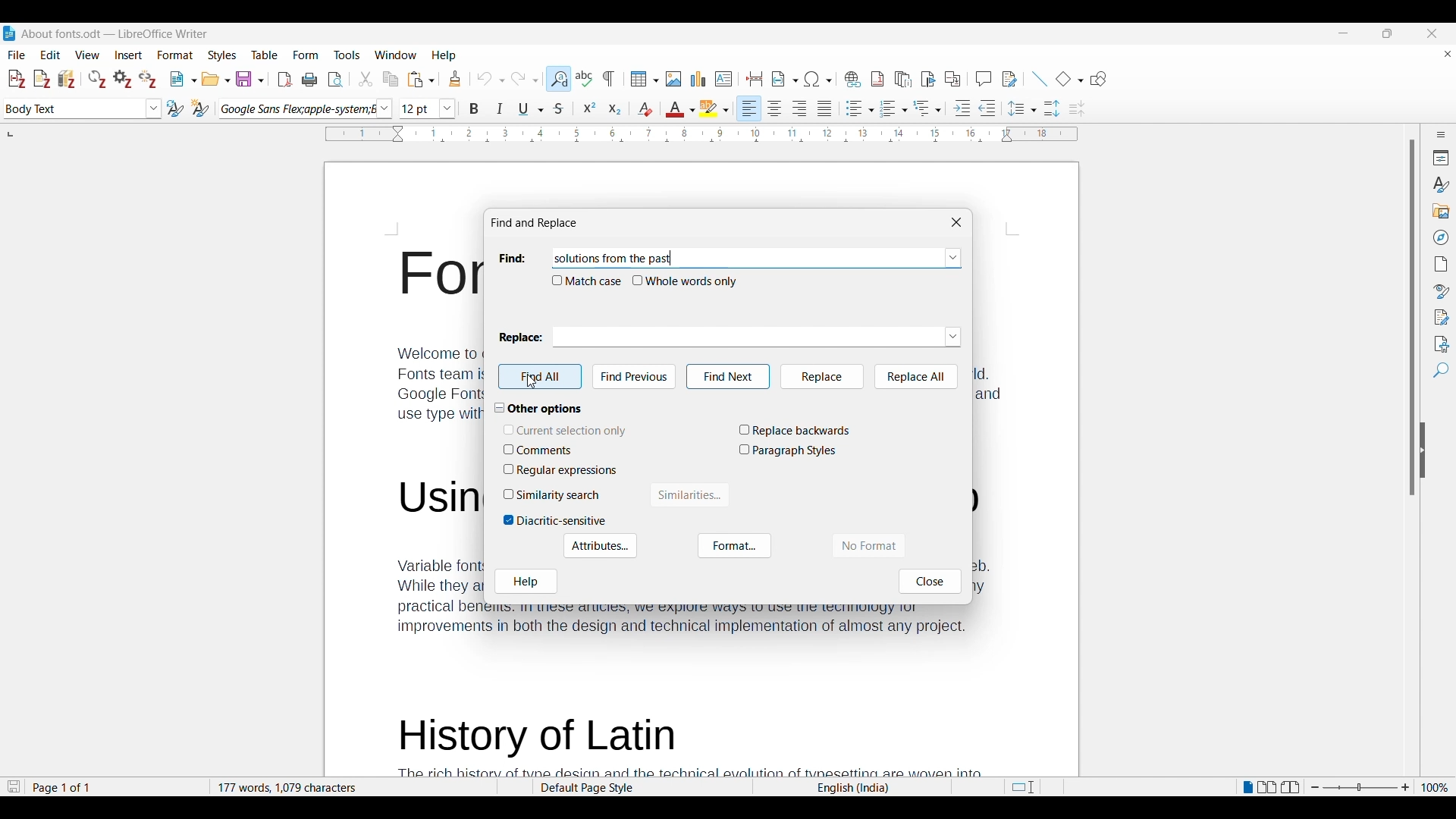 The image size is (1456, 819). Describe the element at coordinates (755, 79) in the screenshot. I see `Insert page break ` at that location.